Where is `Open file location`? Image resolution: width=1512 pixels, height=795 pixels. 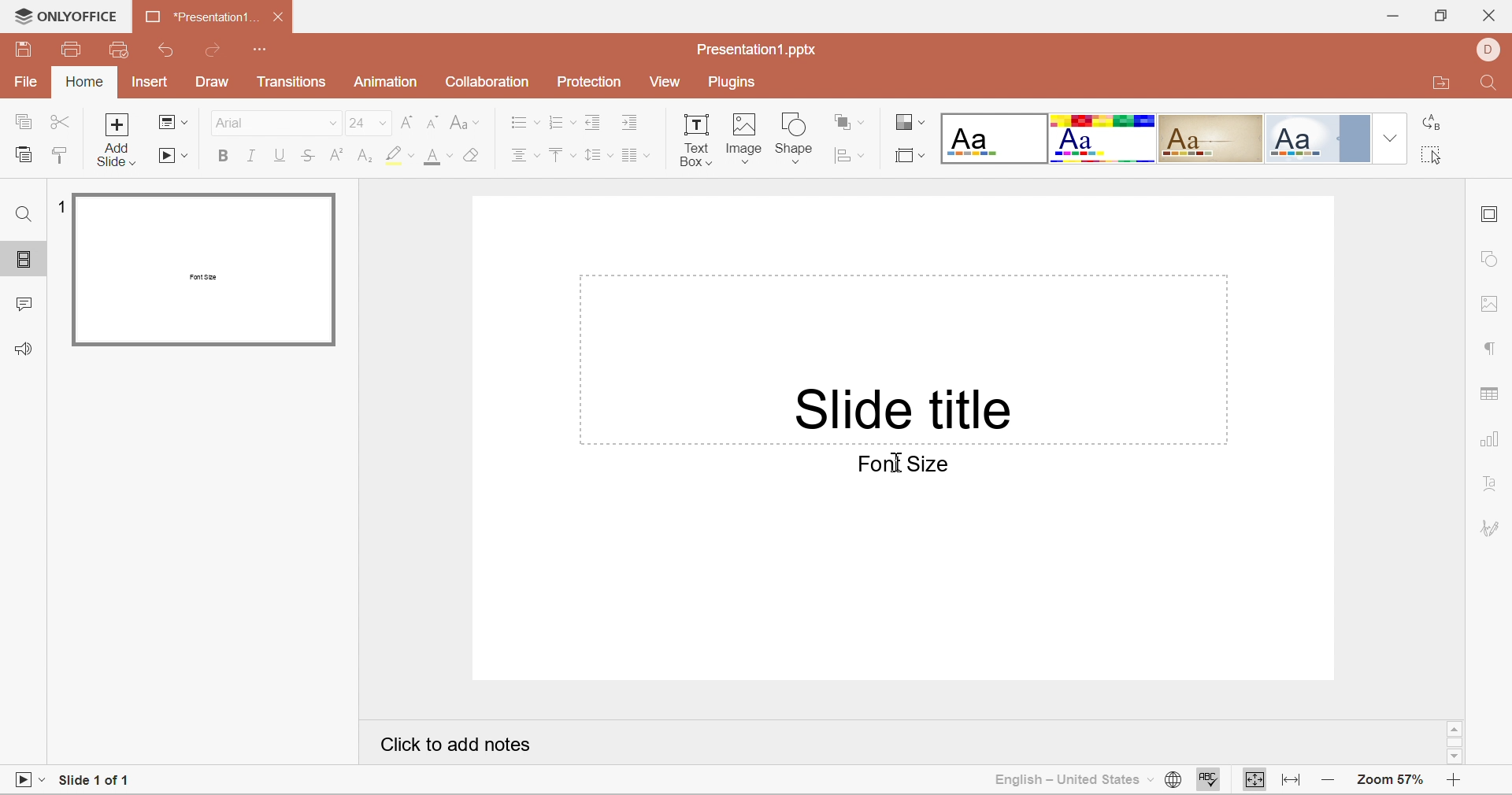
Open file location is located at coordinates (1443, 83).